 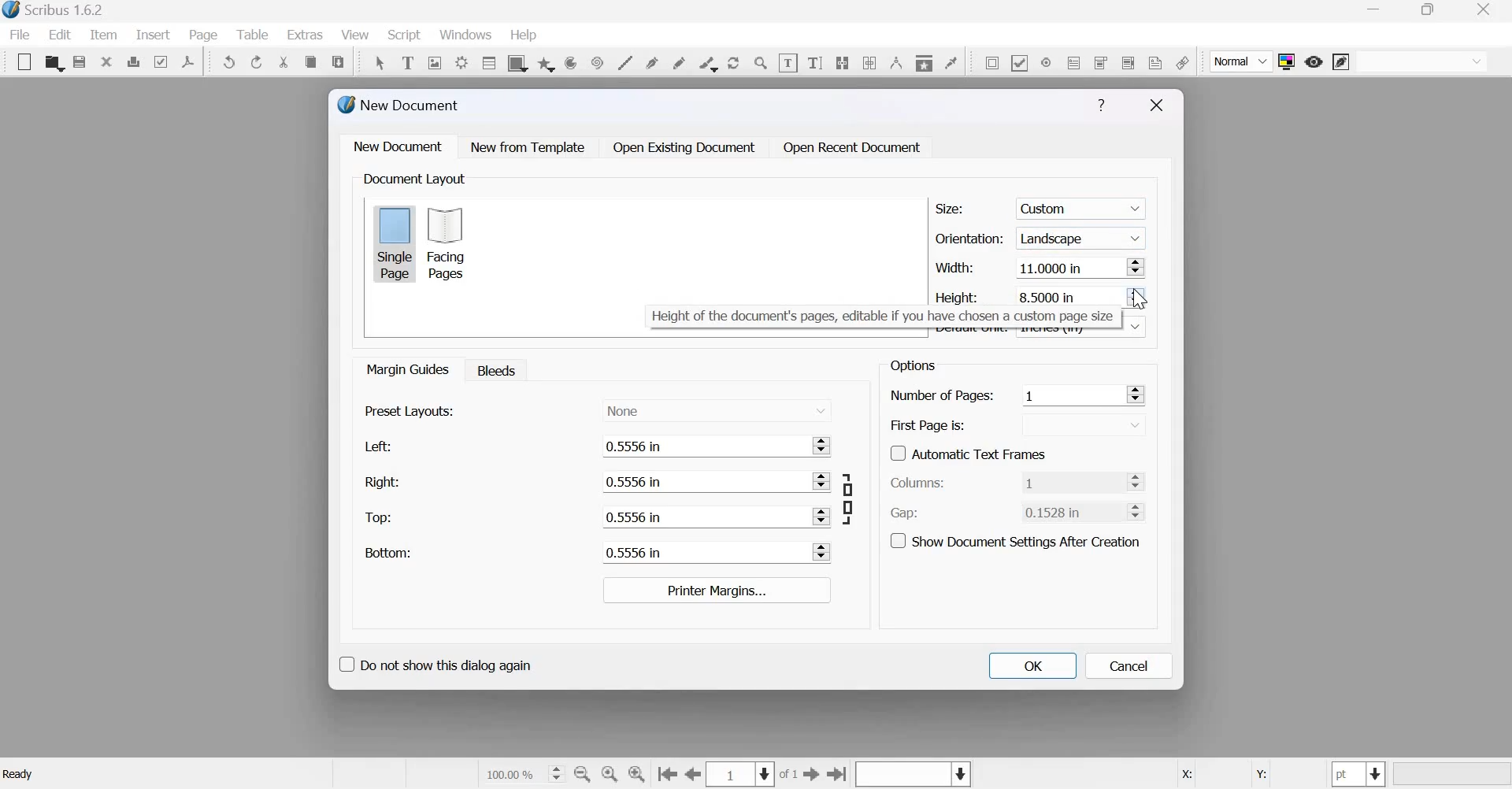 I want to click on Preflight verifier, so click(x=160, y=61).